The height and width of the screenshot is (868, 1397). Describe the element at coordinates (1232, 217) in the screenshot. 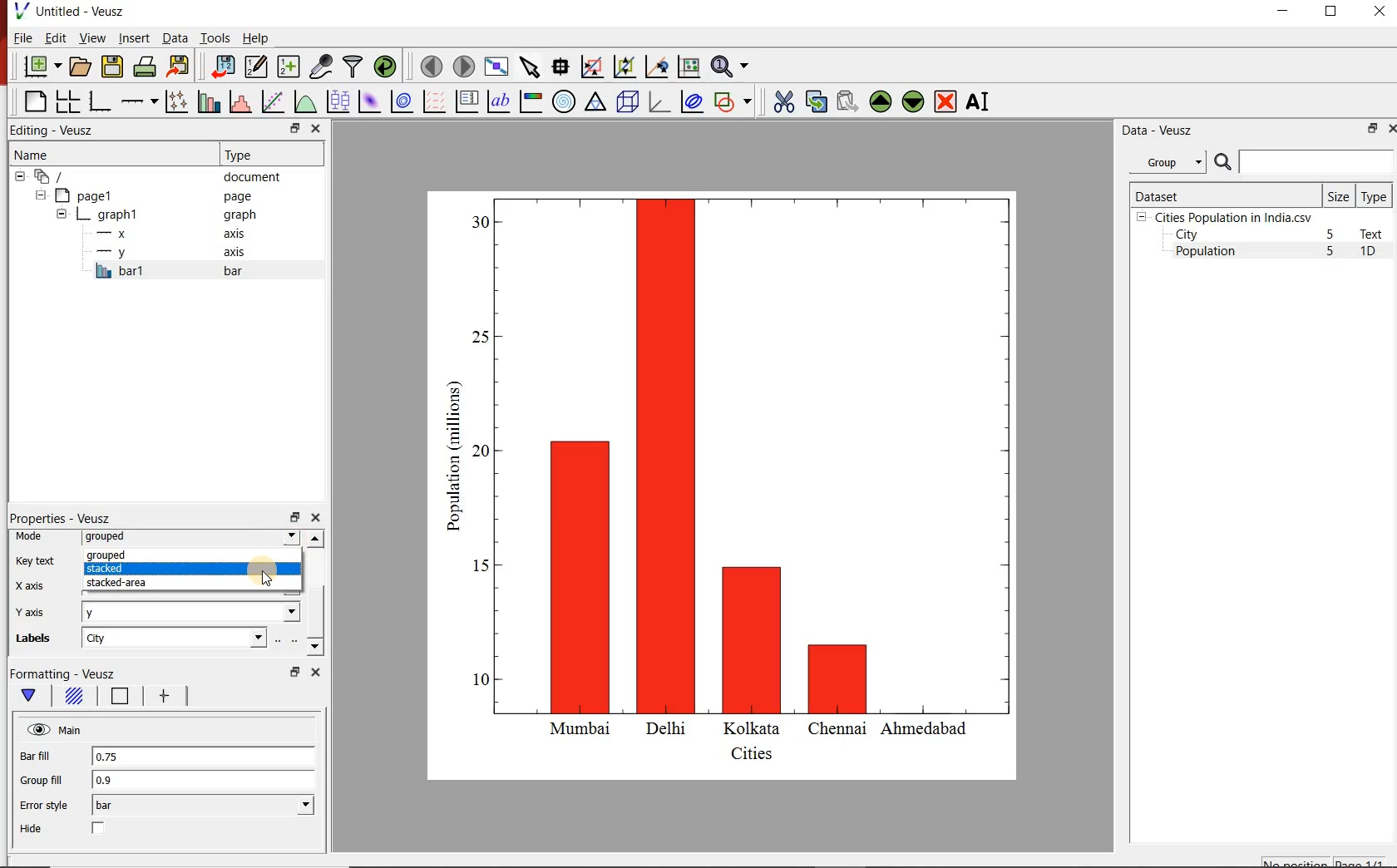

I see `Cities Population in India.csv` at that location.